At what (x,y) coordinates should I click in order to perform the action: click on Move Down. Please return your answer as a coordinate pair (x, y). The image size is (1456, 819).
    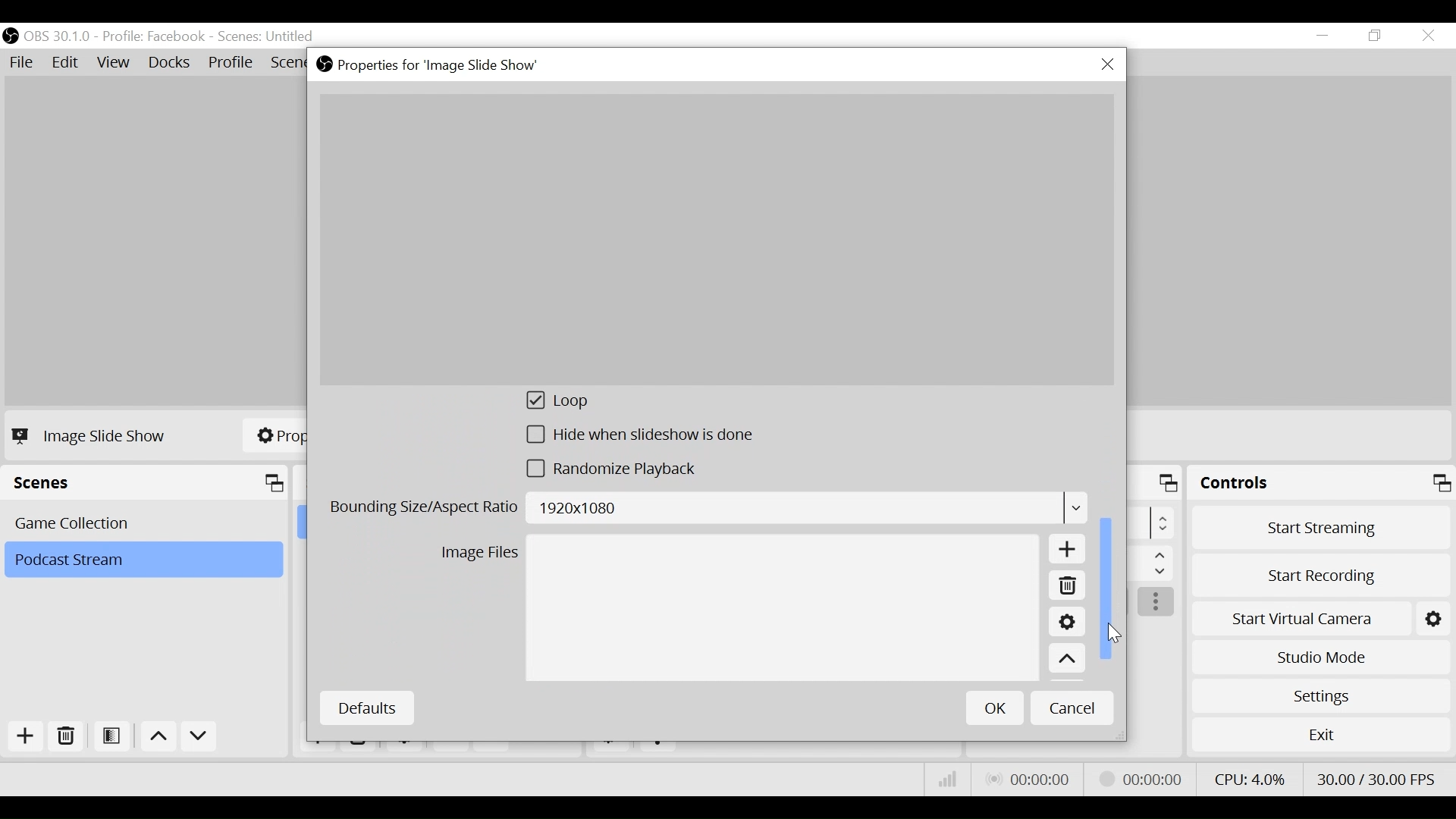
    Looking at the image, I should click on (199, 739).